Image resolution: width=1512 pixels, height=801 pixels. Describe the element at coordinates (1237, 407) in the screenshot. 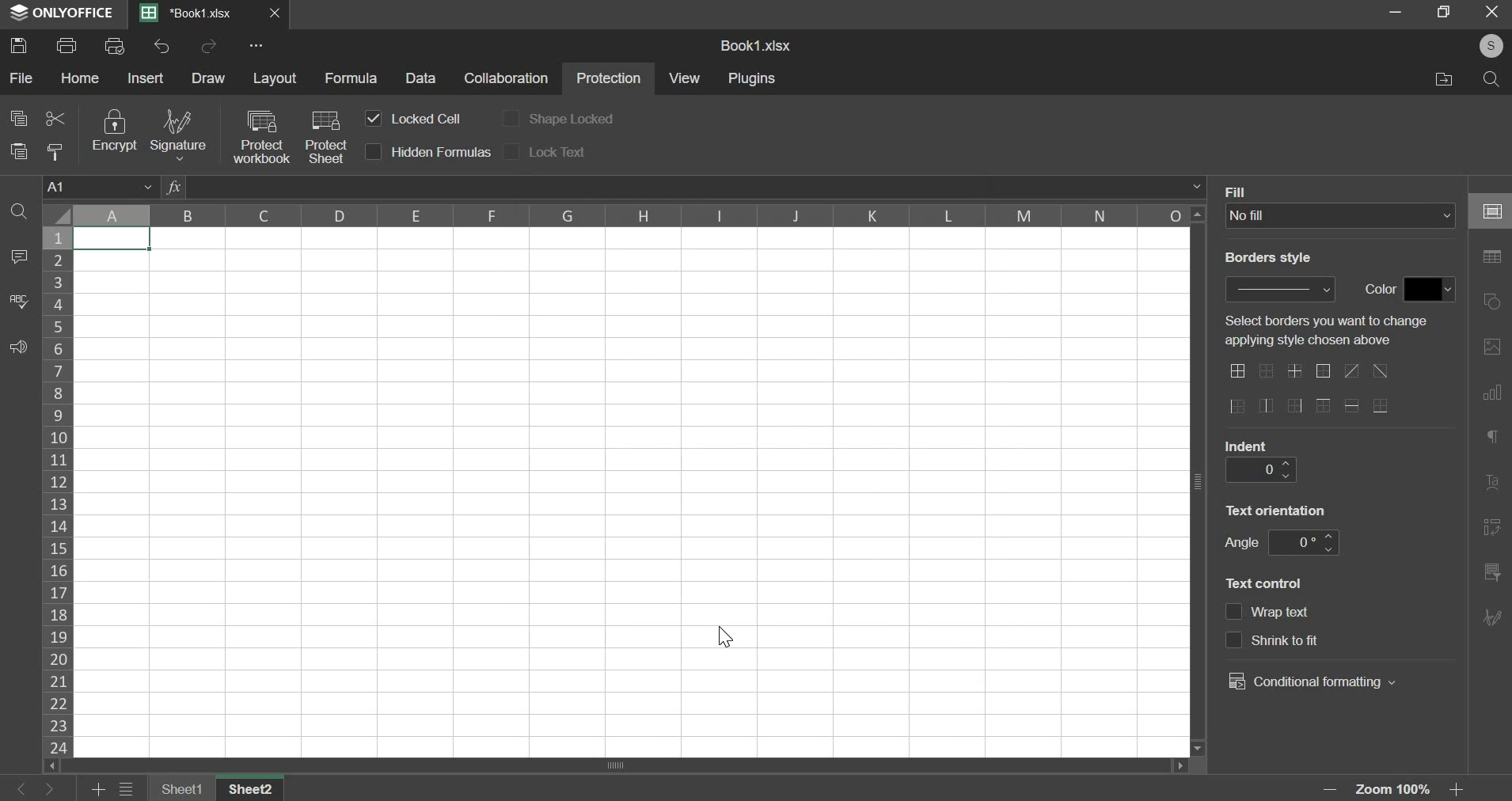

I see `border options` at that location.